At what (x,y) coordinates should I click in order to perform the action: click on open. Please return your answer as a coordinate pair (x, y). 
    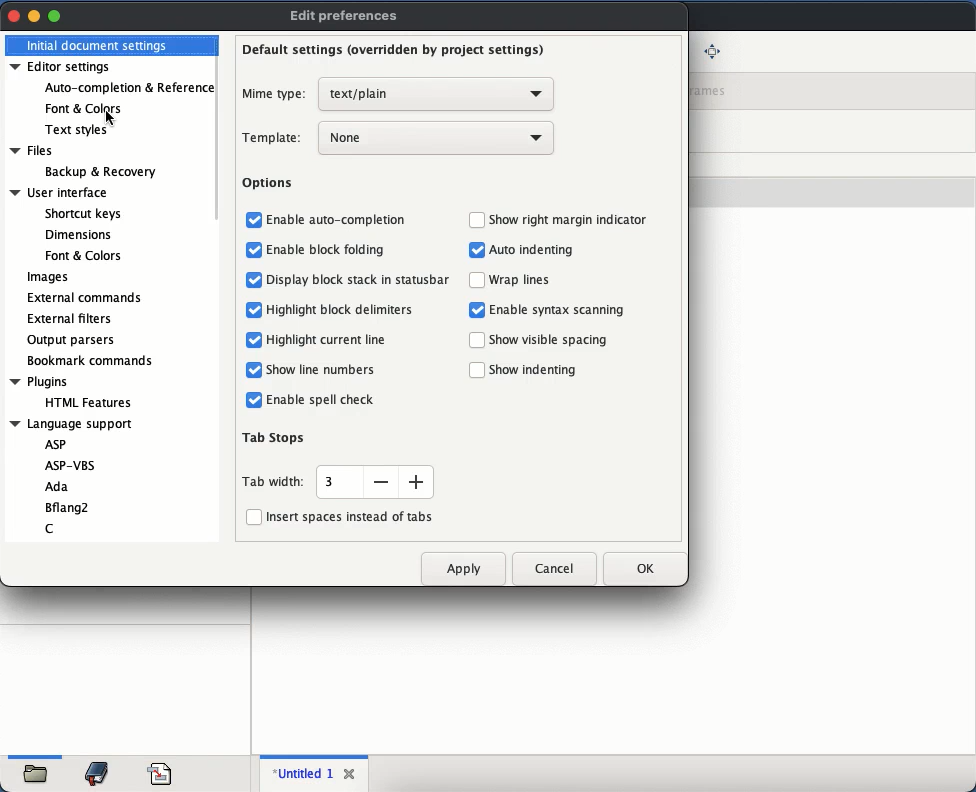
    Looking at the image, I should click on (40, 770).